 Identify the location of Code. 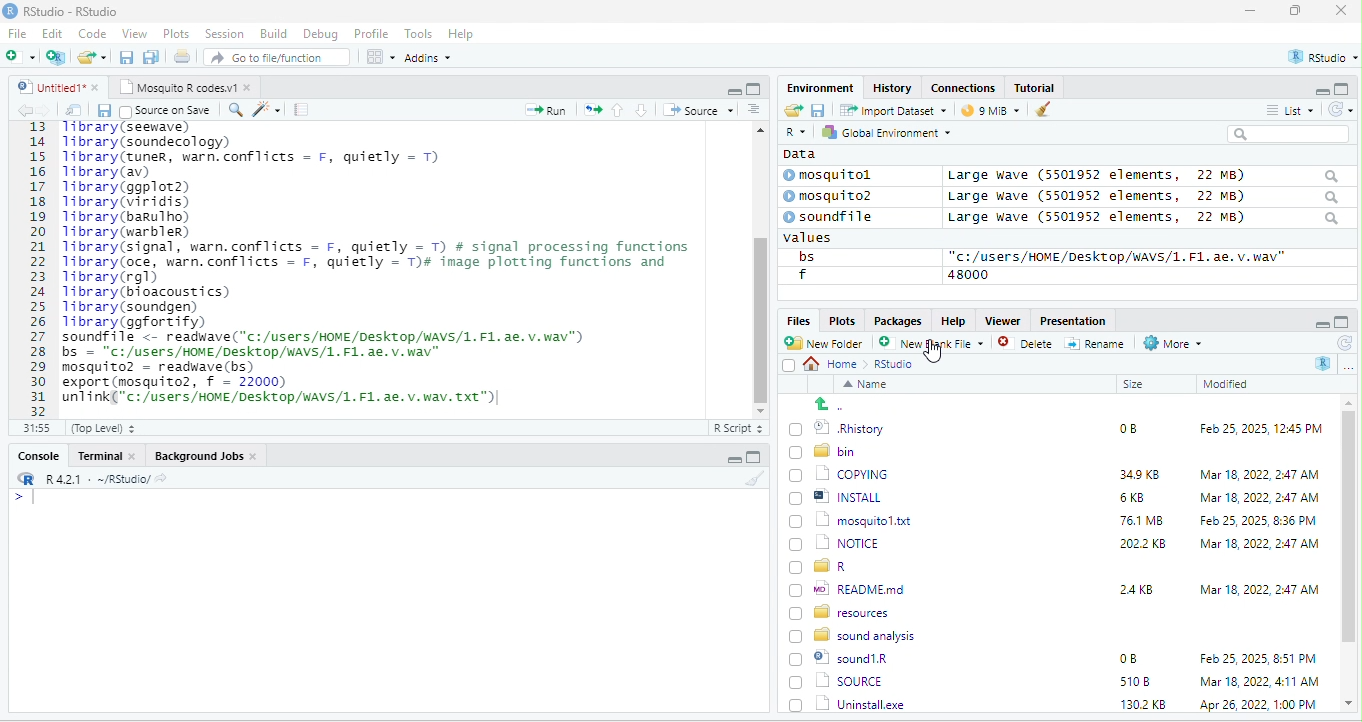
(93, 33).